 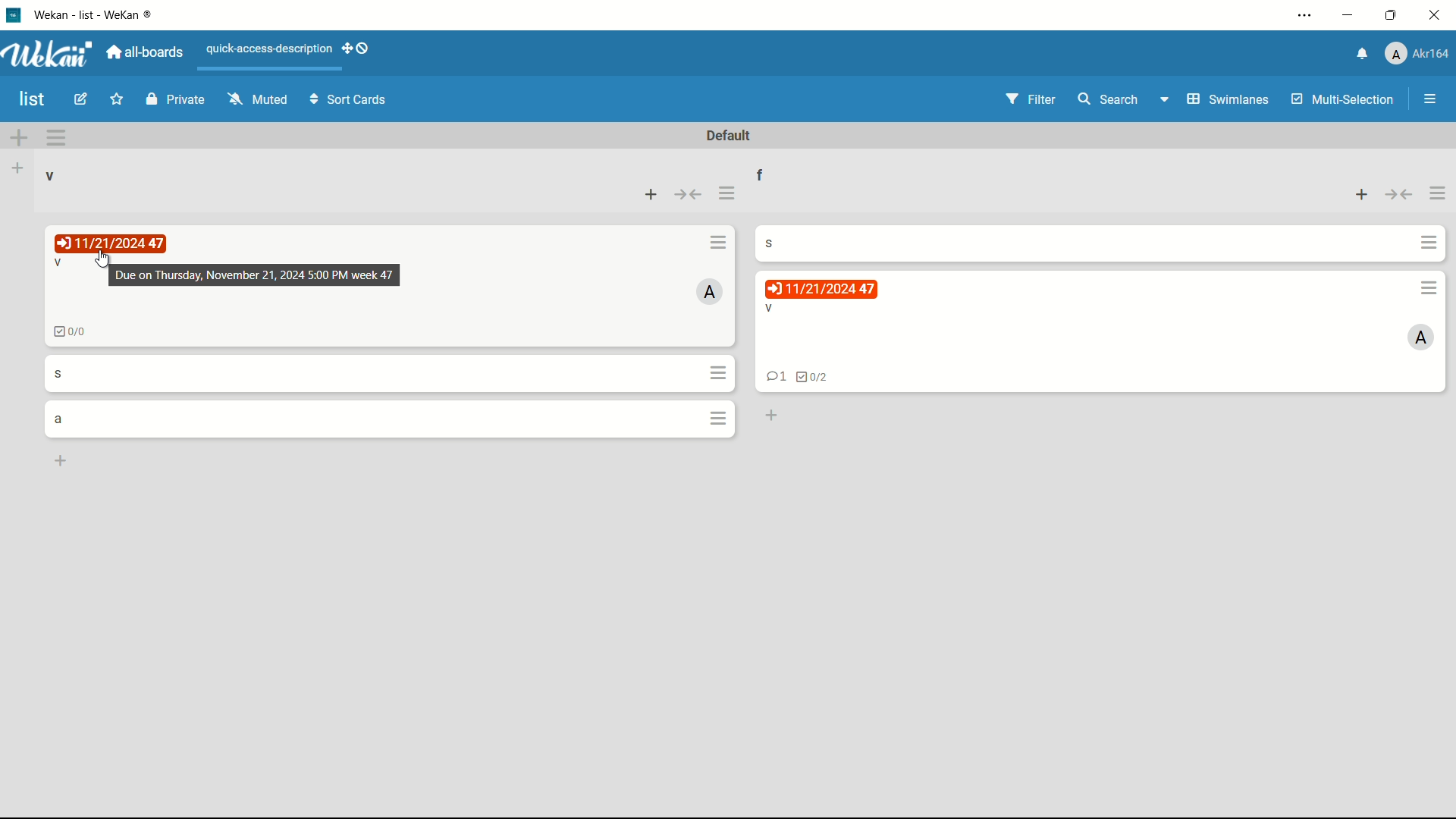 I want to click on card actions, so click(x=718, y=241).